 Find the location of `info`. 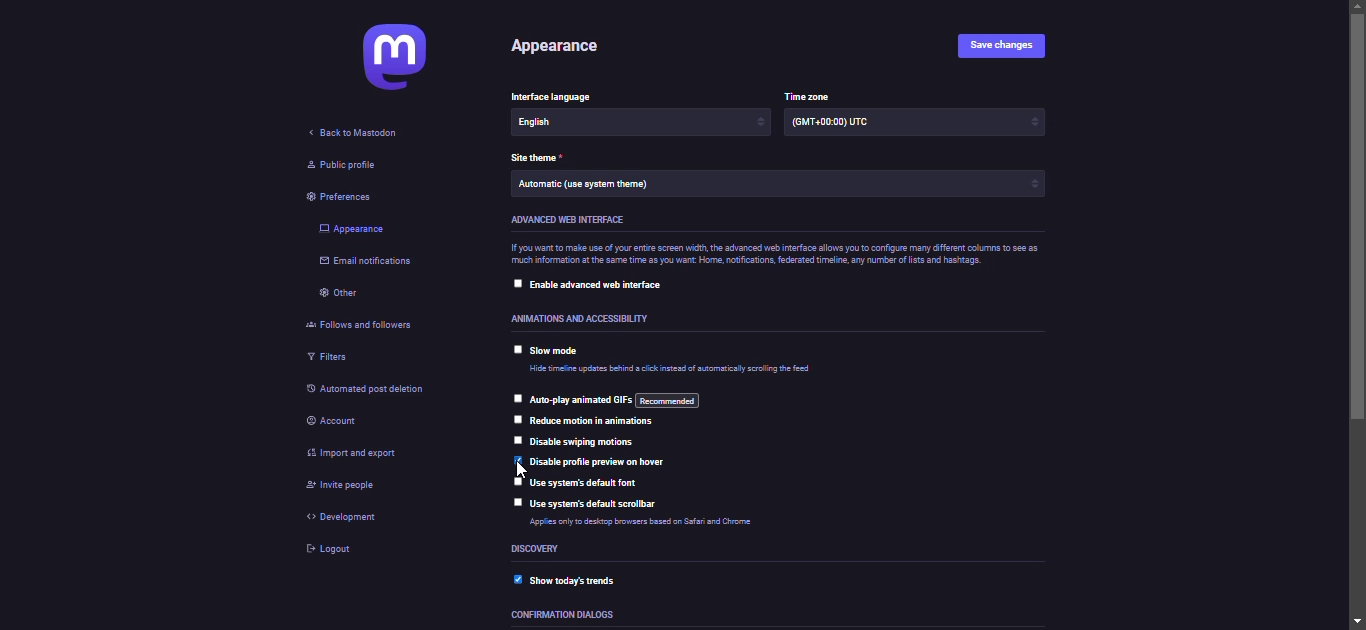

info is located at coordinates (771, 256).